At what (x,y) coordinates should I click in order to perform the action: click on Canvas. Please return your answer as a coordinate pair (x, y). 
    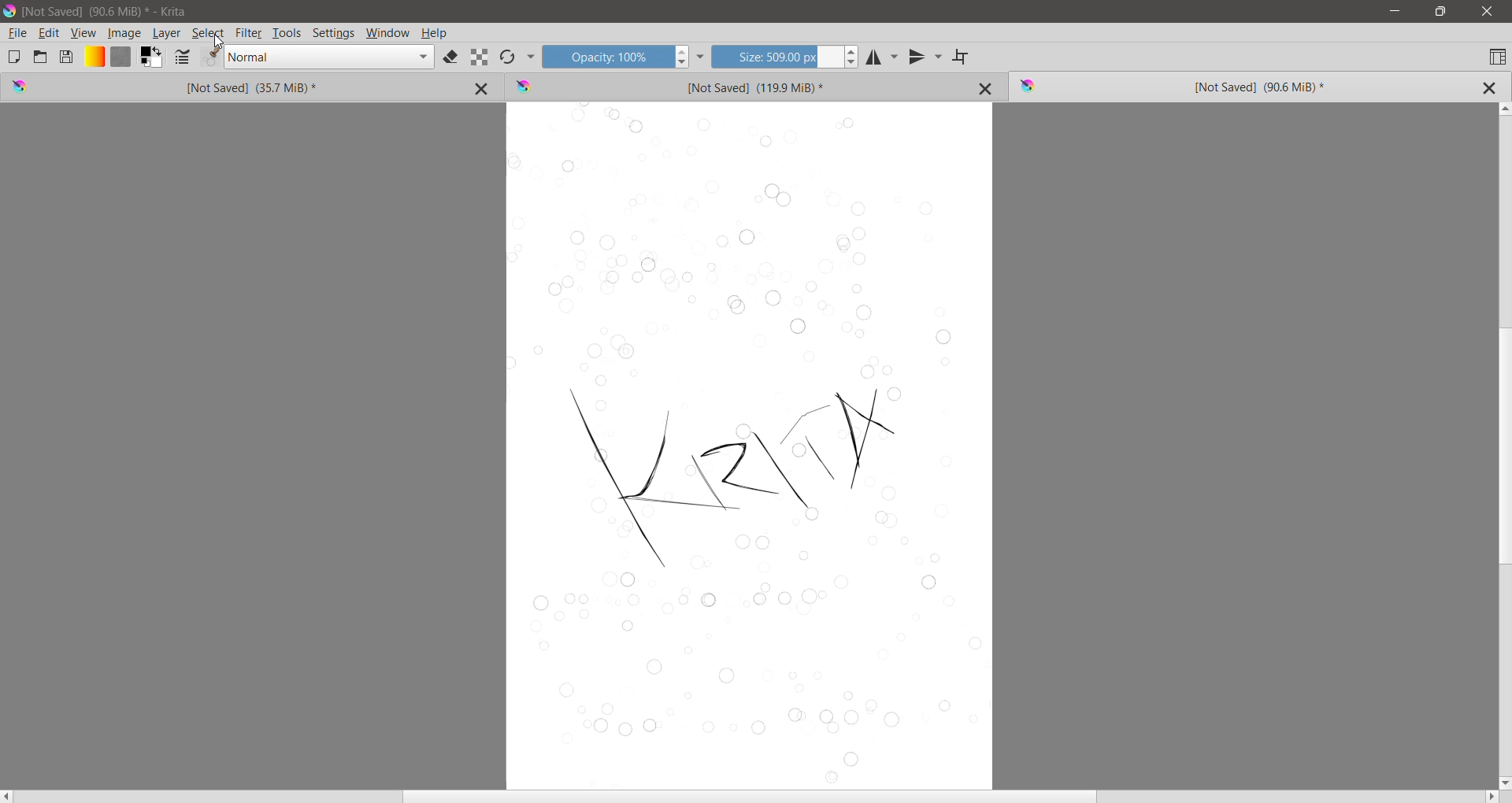
    Looking at the image, I should click on (750, 446).